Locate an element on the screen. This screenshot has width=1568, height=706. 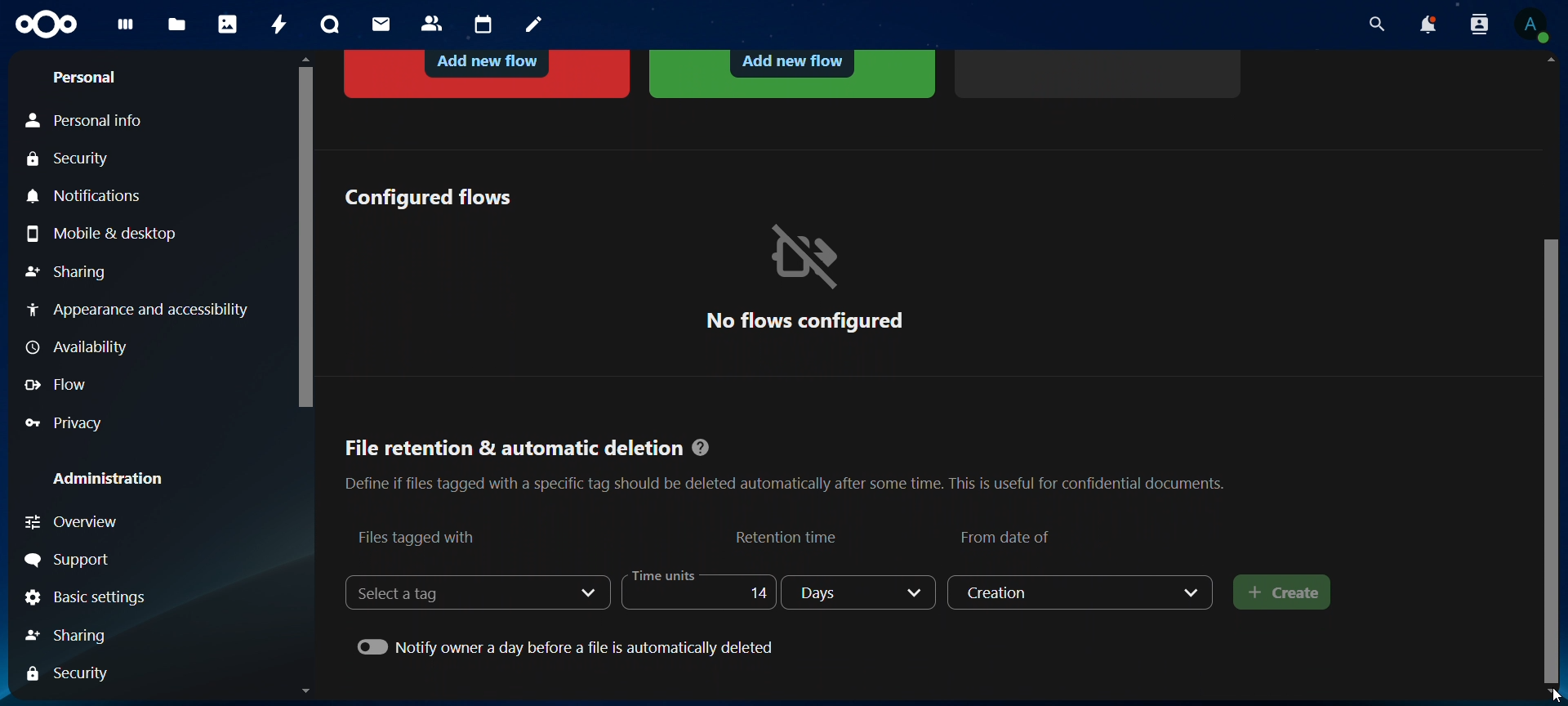
block access to a file is located at coordinates (489, 72).